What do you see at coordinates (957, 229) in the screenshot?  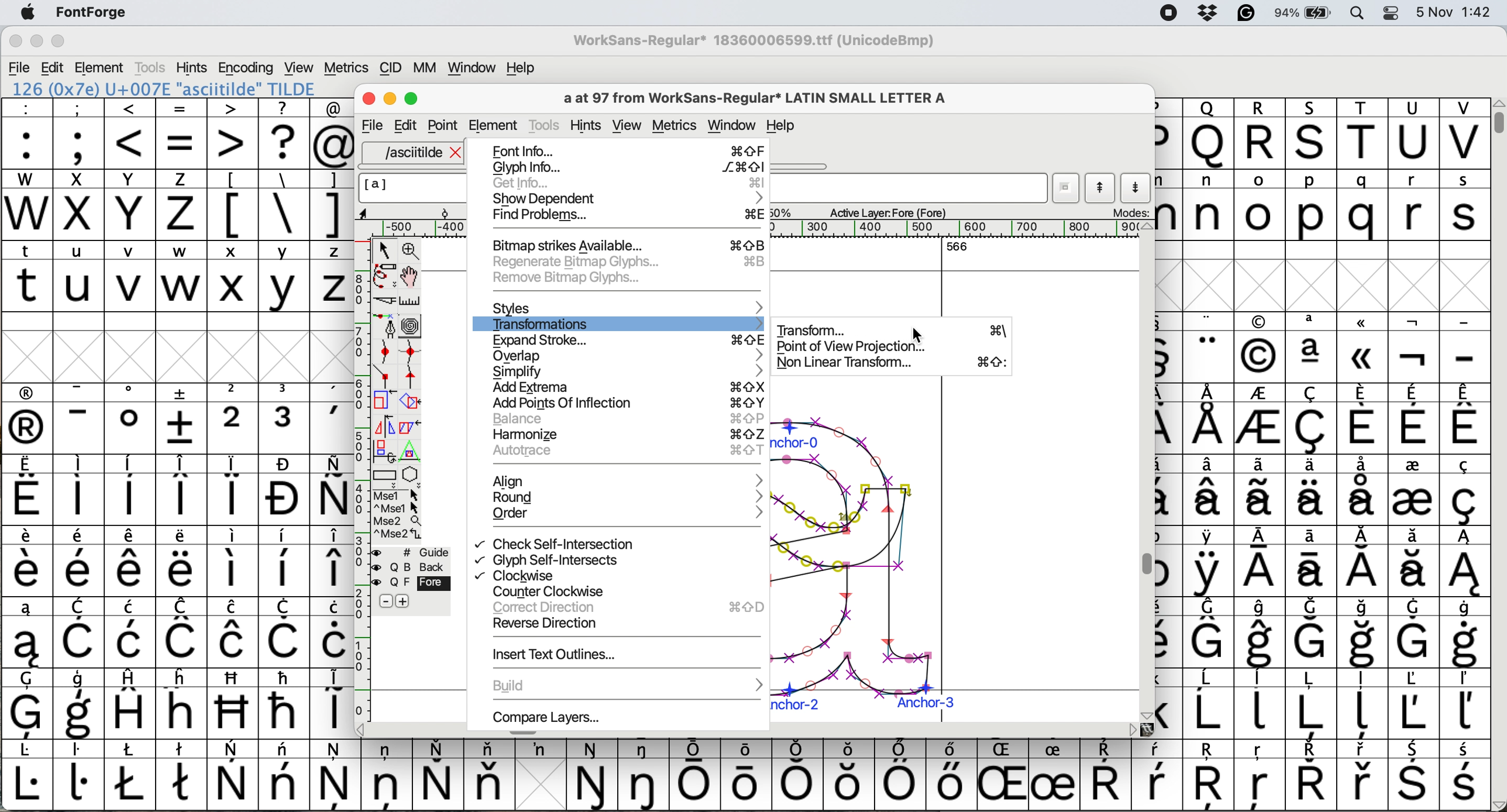 I see `horizontal scale` at bounding box center [957, 229].